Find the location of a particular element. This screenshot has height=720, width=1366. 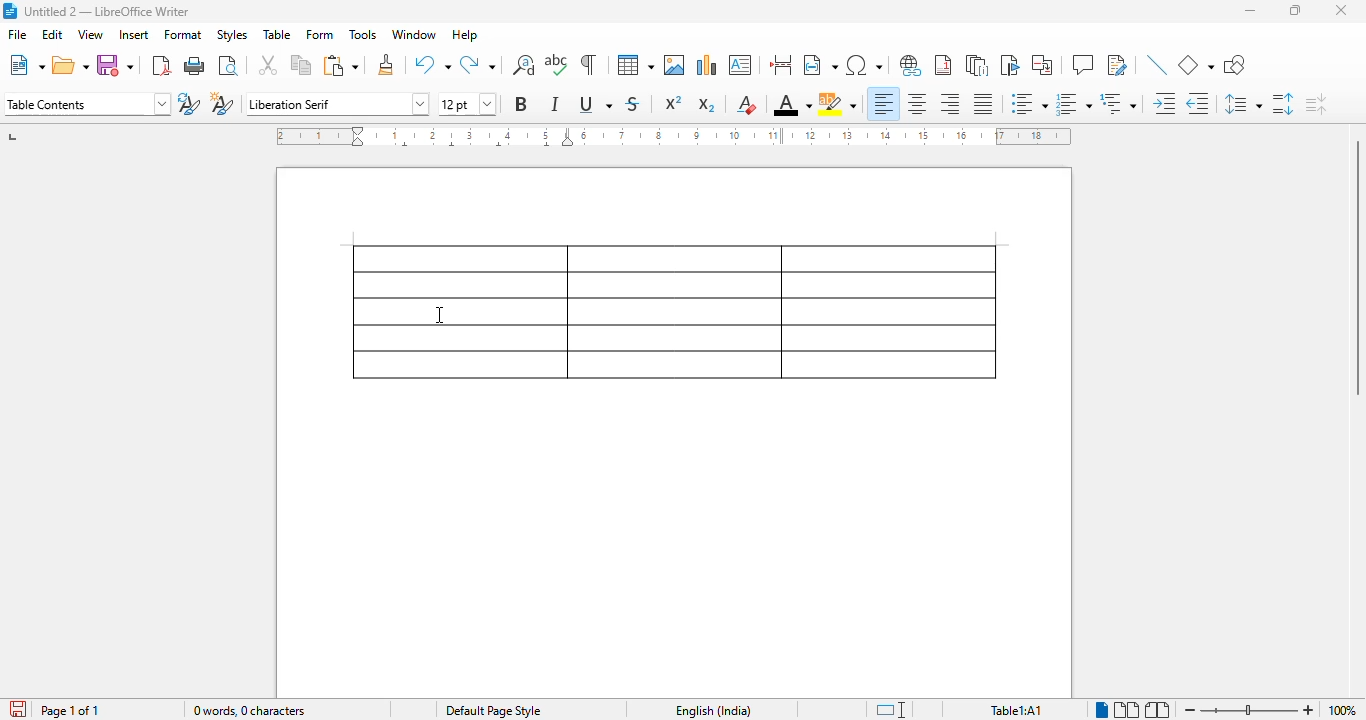

close is located at coordinates (1343, 10).